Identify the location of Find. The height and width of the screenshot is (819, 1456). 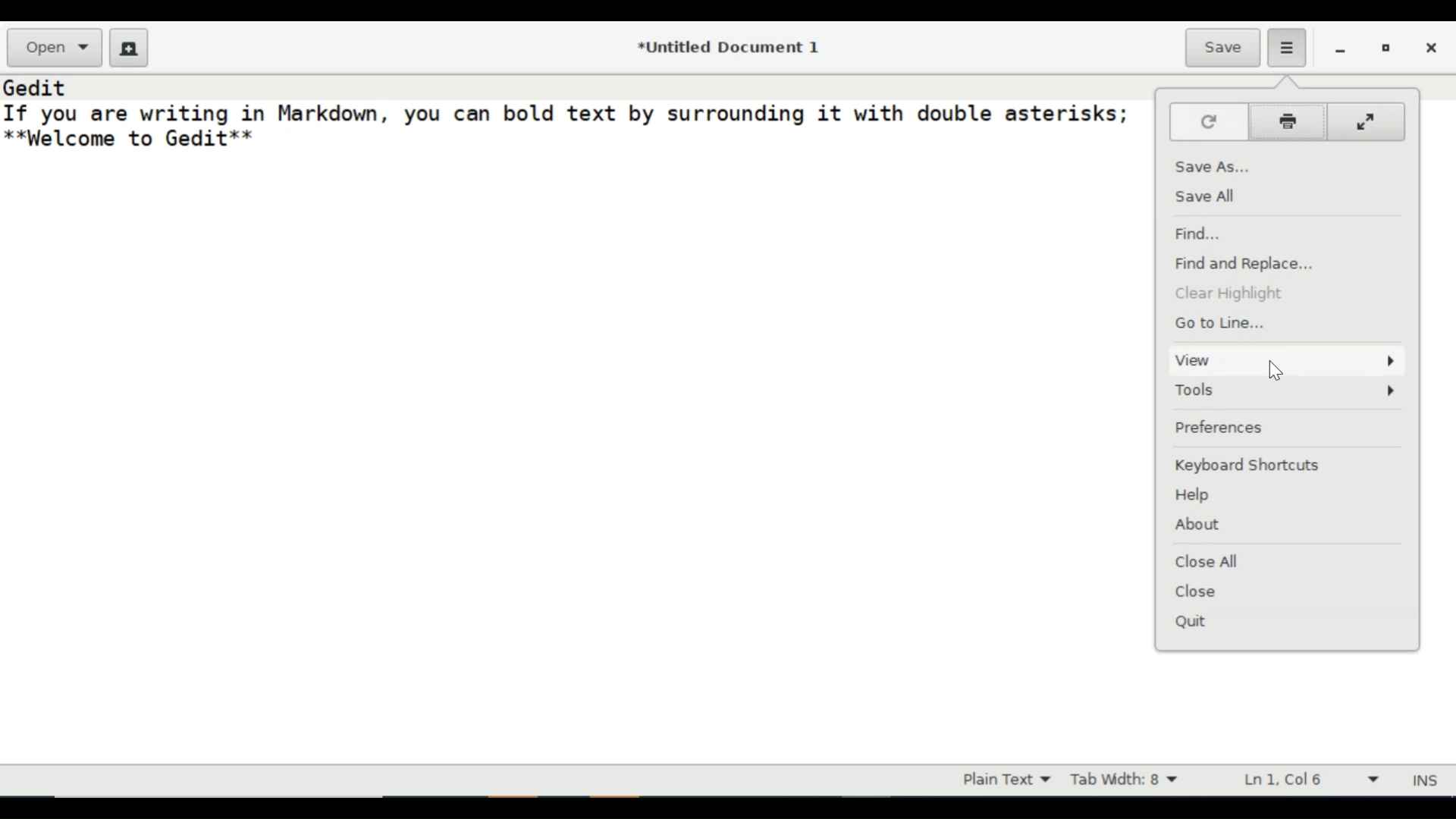
(1209, 231).